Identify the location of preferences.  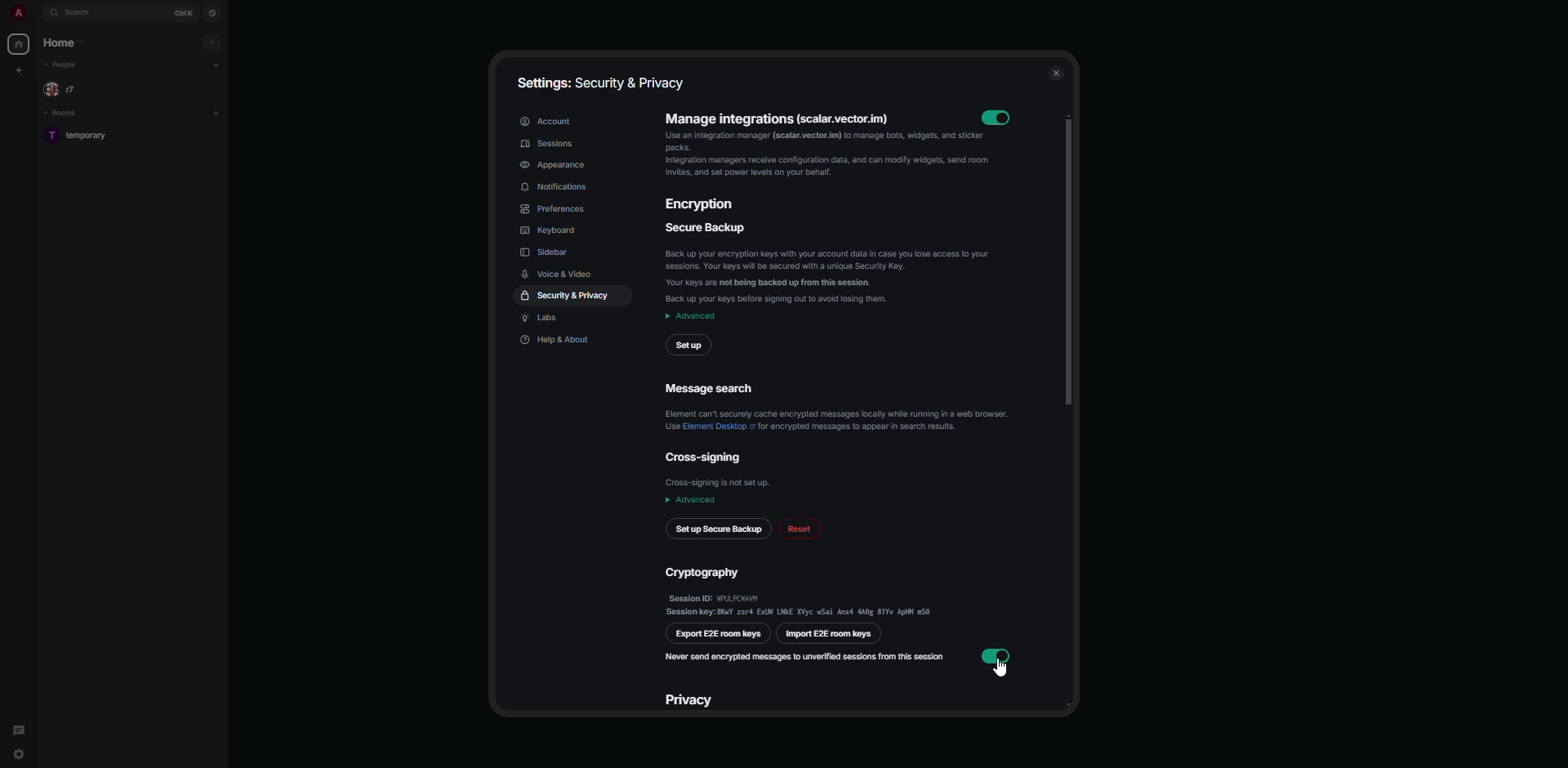
(562, 209).